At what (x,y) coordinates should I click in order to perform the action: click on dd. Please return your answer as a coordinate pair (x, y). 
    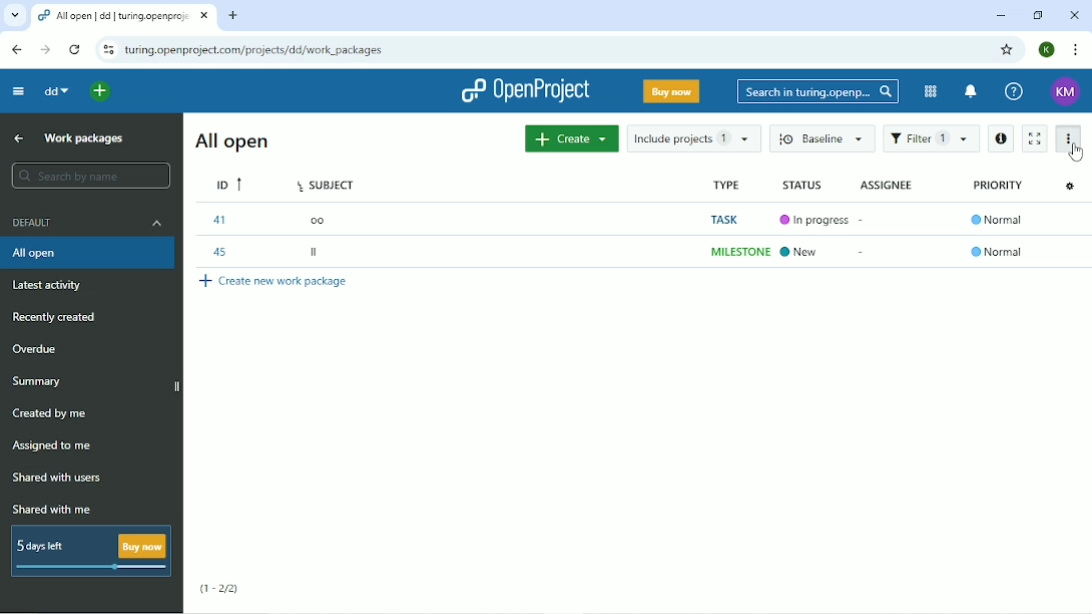
    Looking at the image, I should click on (55, 91).